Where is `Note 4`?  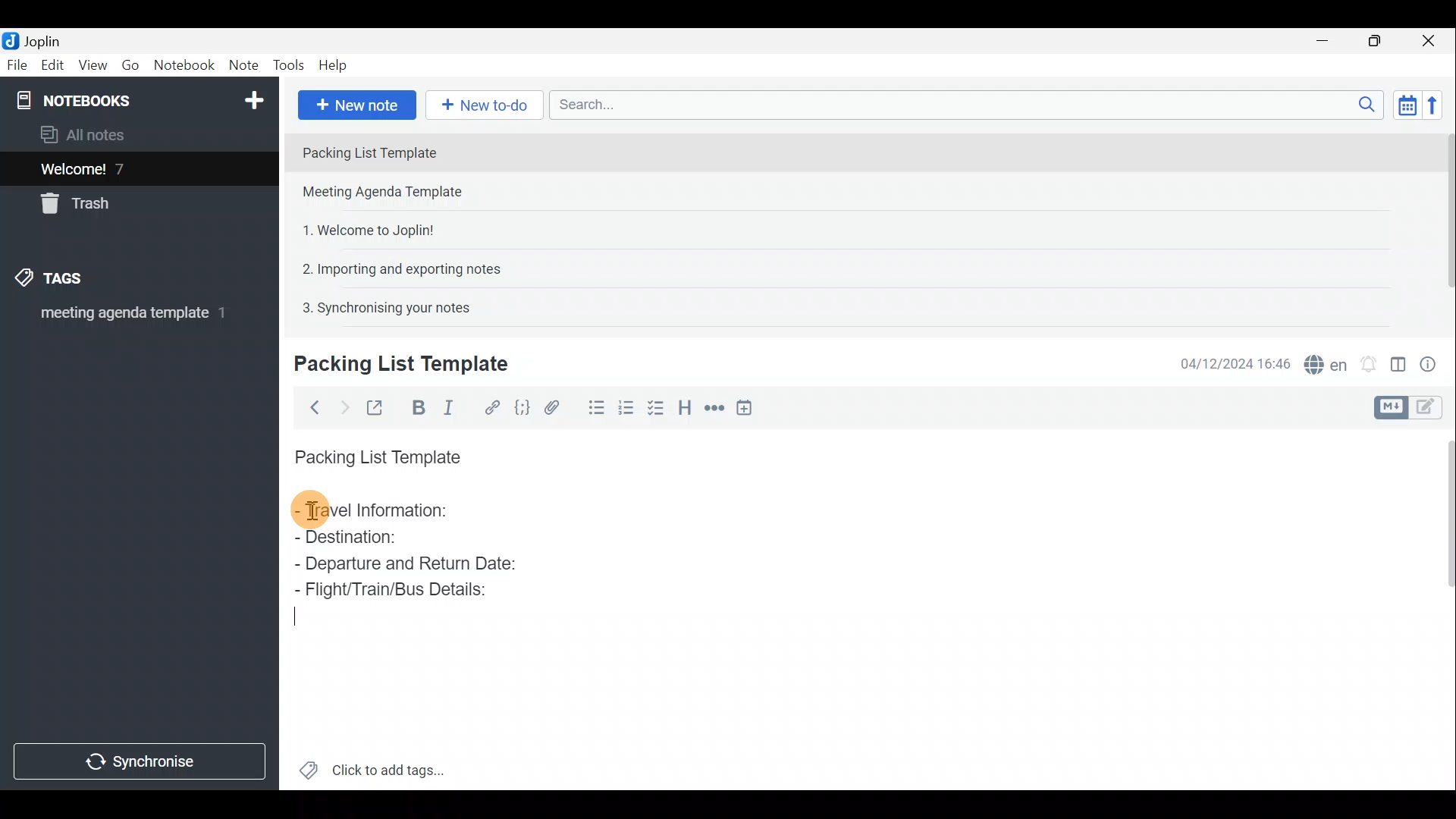
Note 4 is located at coordinates (394, 266).